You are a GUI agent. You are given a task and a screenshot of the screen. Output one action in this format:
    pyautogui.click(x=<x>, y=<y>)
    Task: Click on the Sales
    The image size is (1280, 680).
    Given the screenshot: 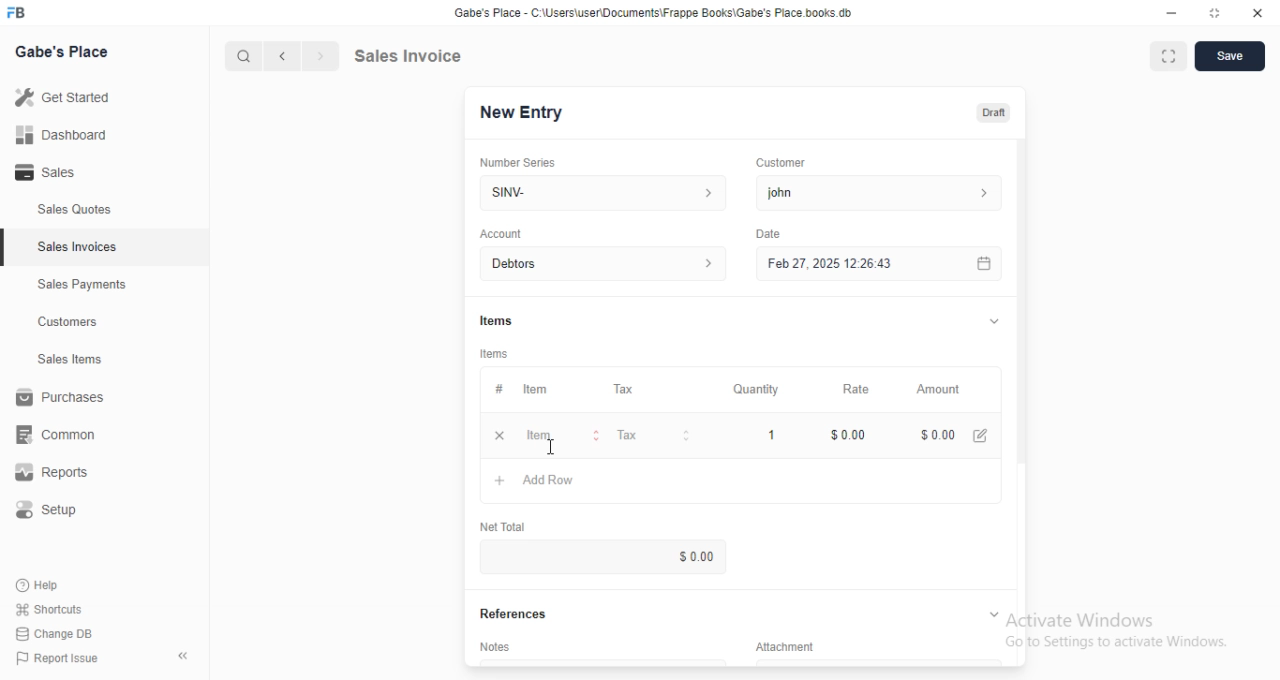 What is the action you would take?
    pyautogui.click(x=48, y=171)
    